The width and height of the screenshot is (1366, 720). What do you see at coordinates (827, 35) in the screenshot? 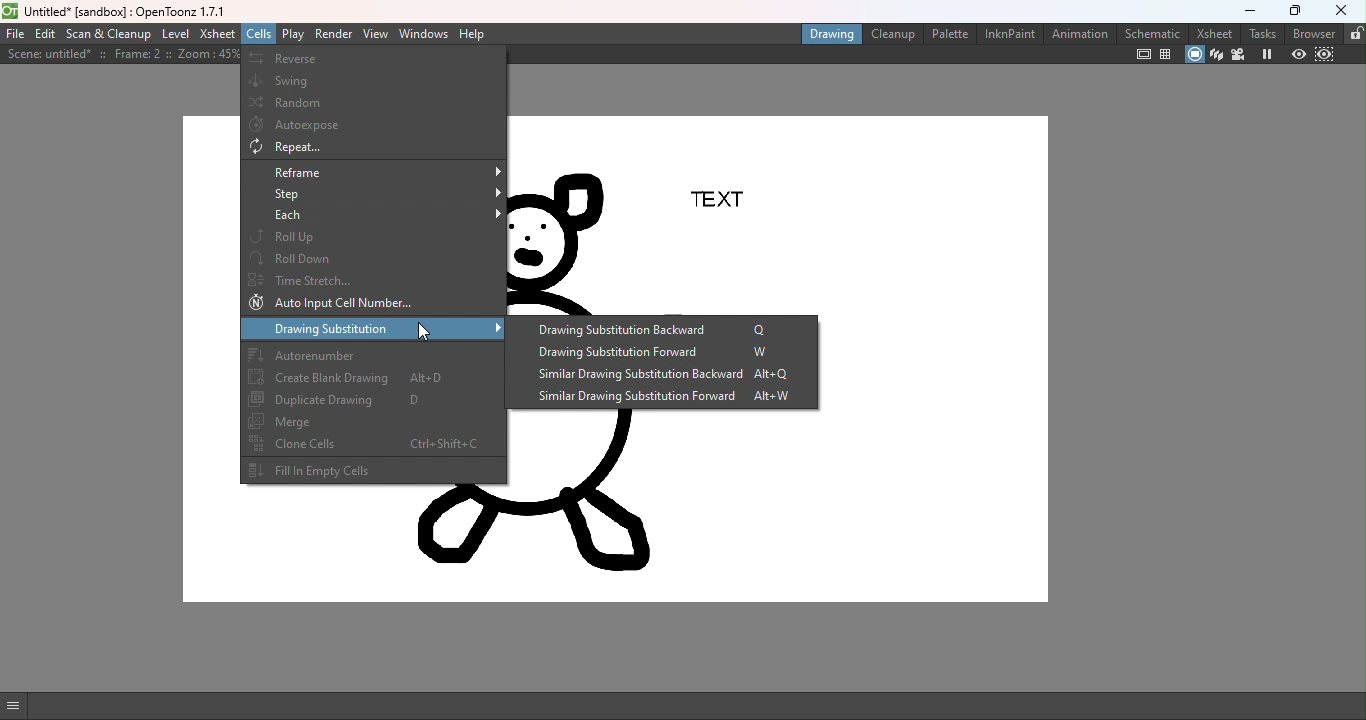
I see `Drawing` at bounding box center [827, 35].